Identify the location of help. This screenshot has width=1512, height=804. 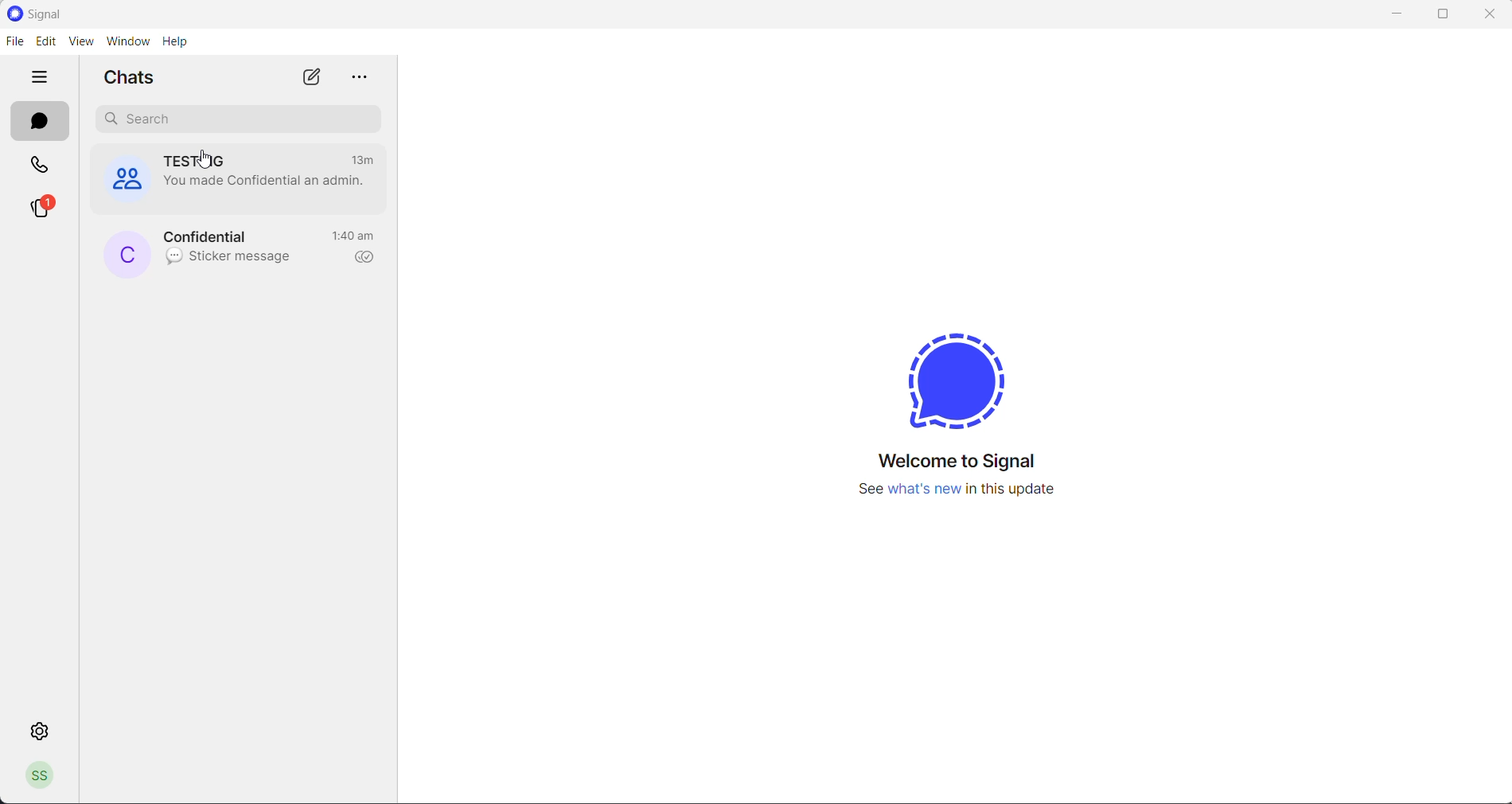
(178, 42).